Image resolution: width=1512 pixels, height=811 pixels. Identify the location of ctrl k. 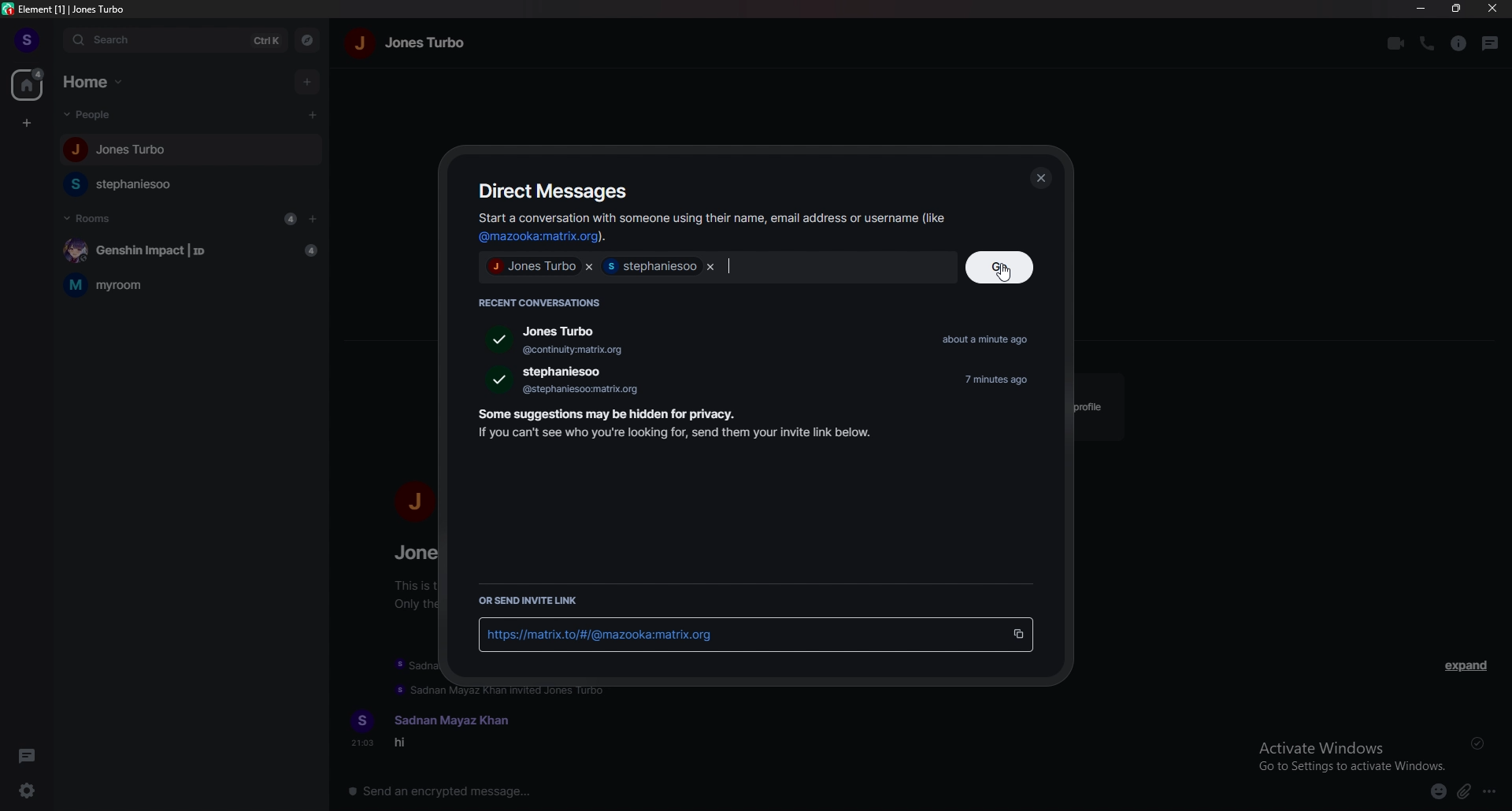
(268, 43).